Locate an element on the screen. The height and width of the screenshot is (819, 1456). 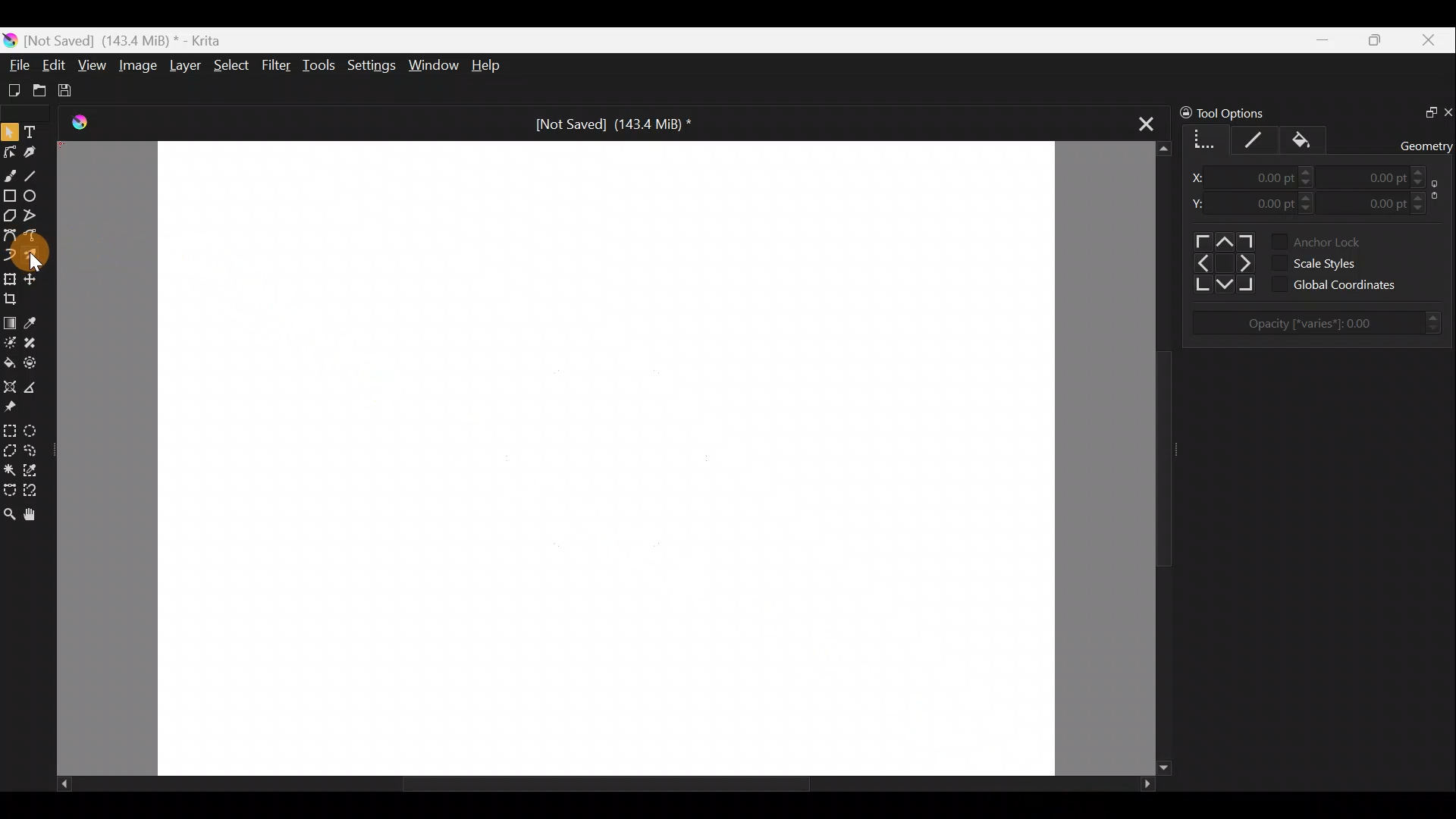
Text tool is located at coordinates (33, 132).